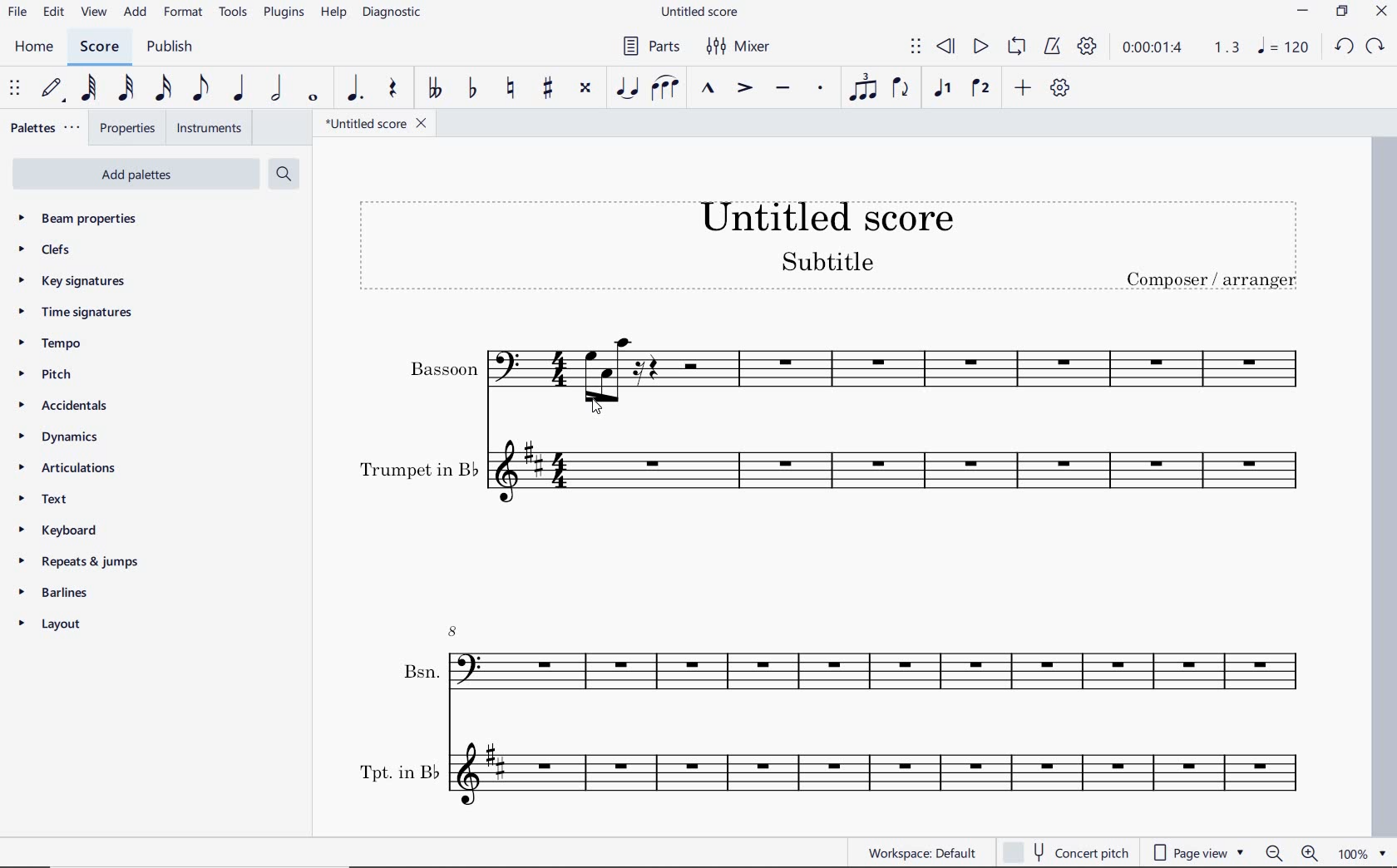 The height and width of the screenshot is (868, 1397). Describe the element at coordinates (48, 374) in the screenshot. I see `pitch` at that location.